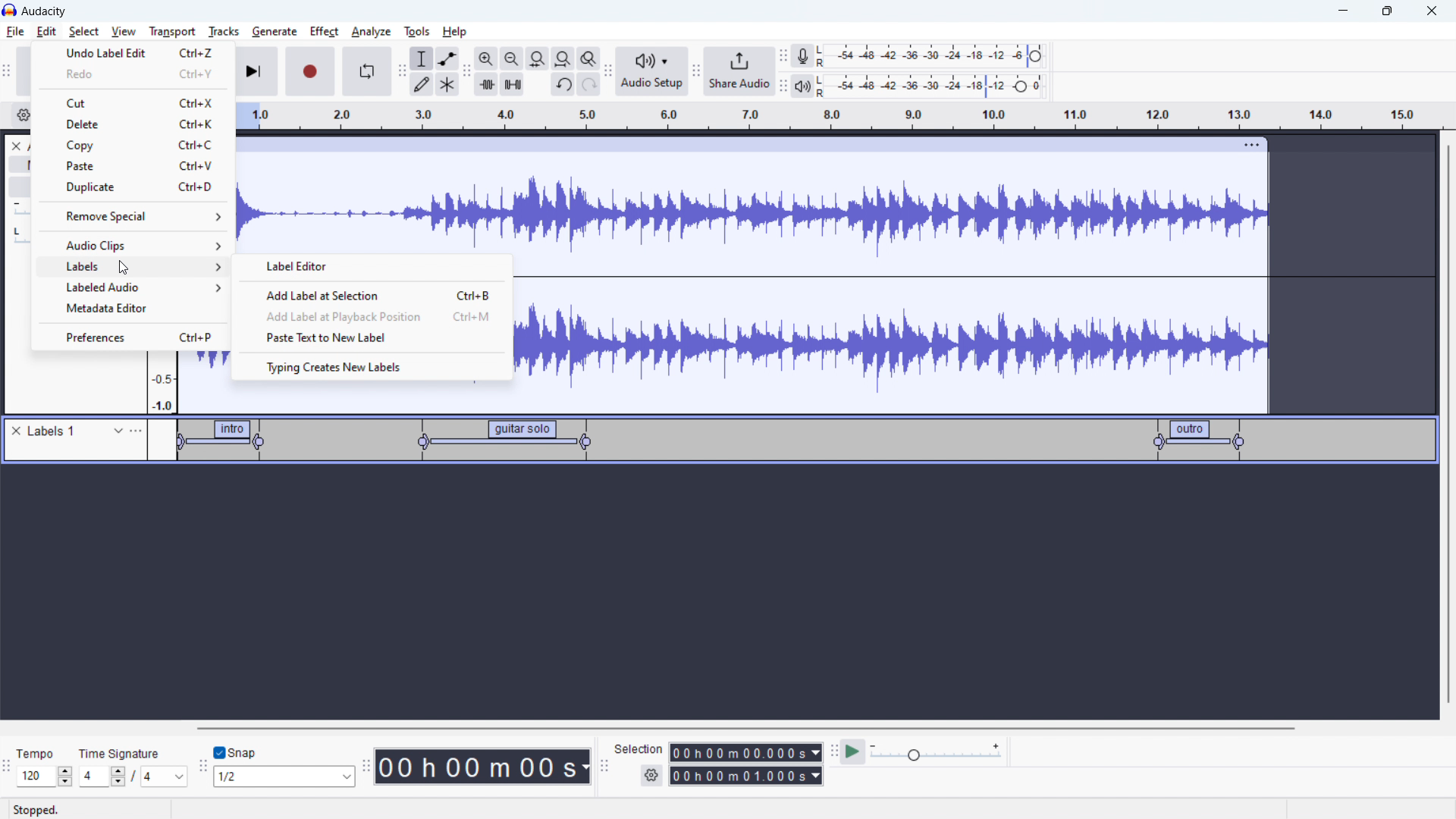  What do you see at coordinates (135, 289) in the screenshot?
I see `labeled audio` at bounding box center [135, 289].